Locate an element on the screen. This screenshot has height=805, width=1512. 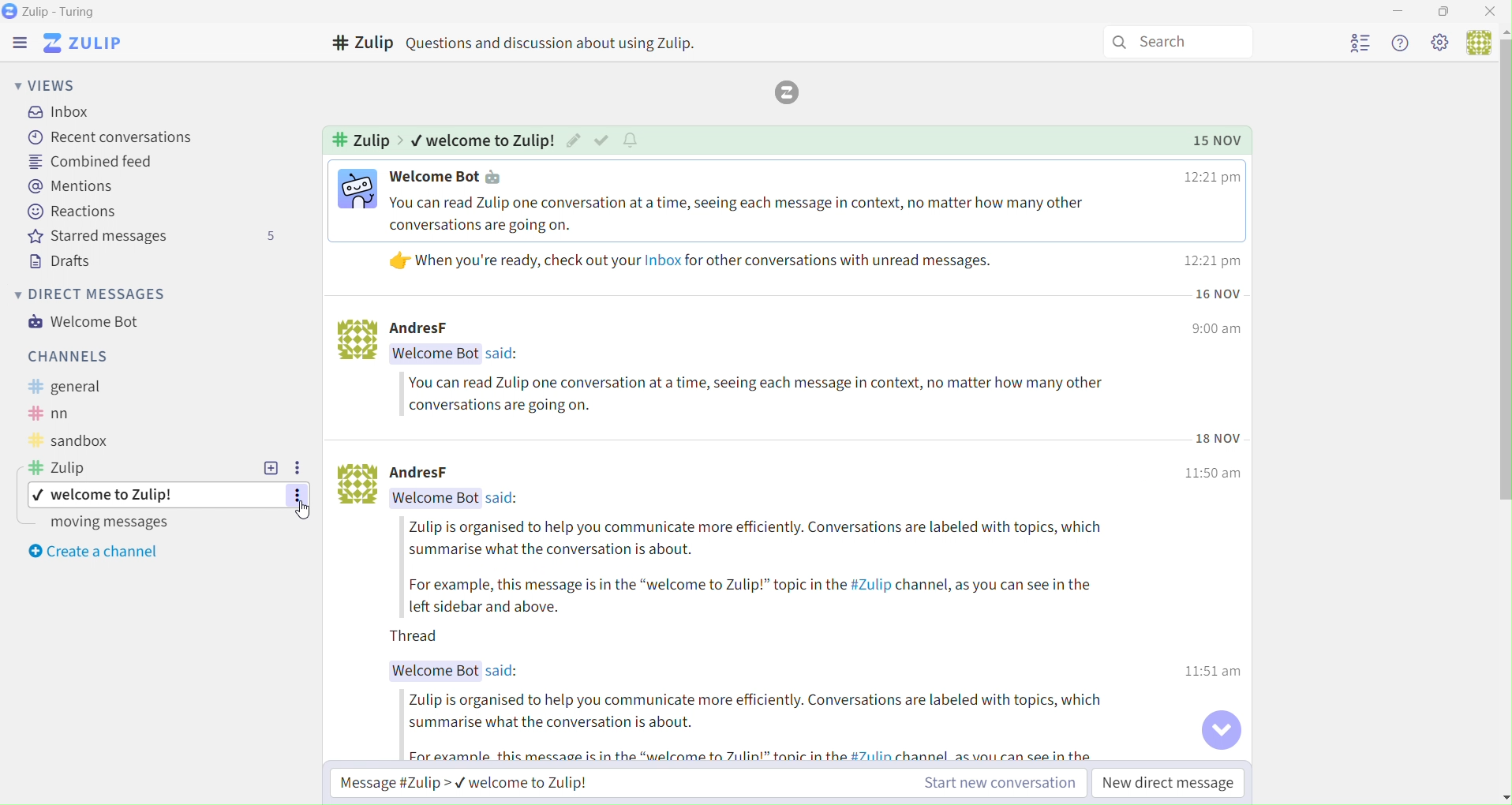
Time is located at coordinates (1214, 472).